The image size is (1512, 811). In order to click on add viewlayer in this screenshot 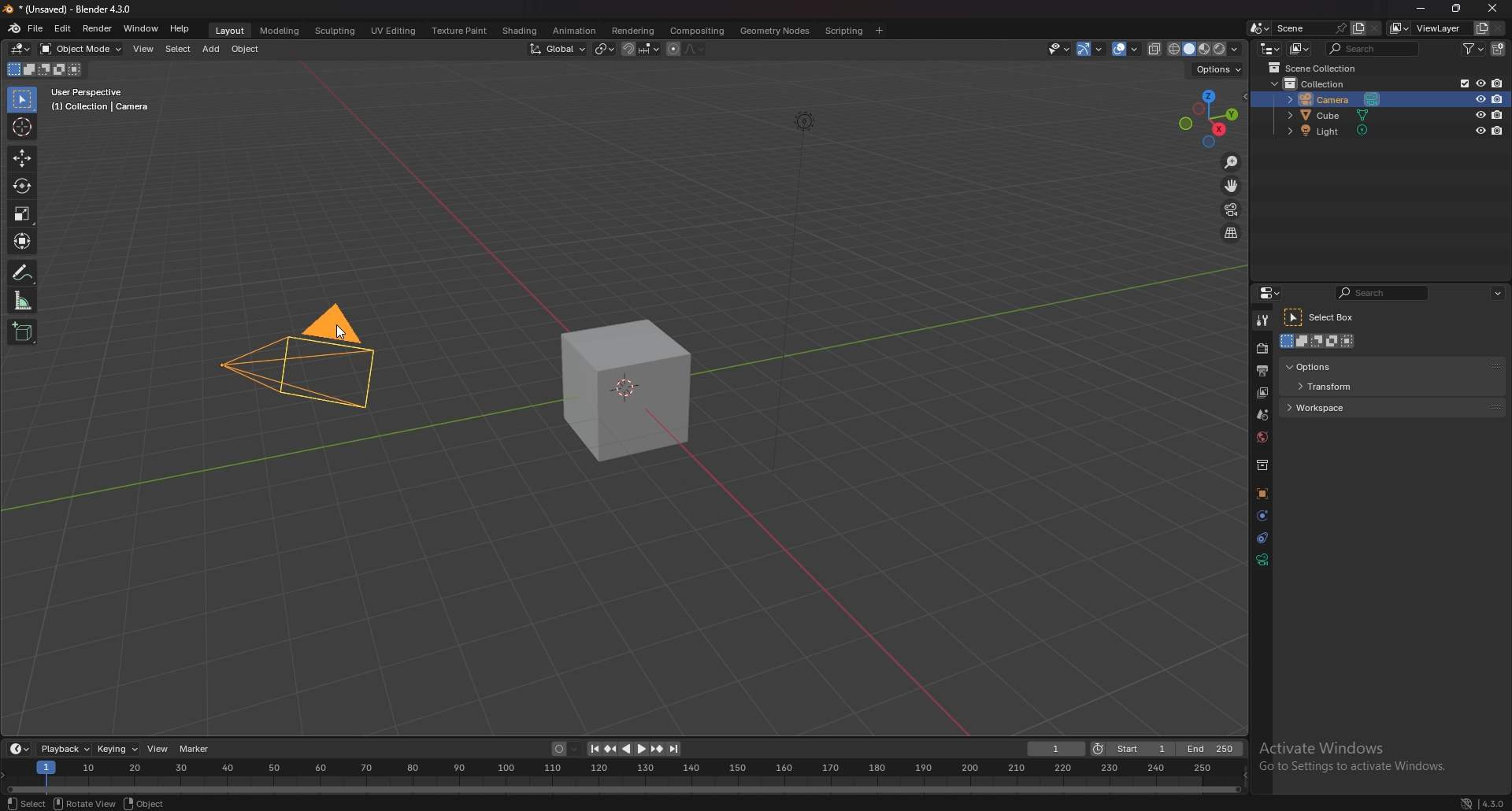, I will do `click(1481, 27)`.